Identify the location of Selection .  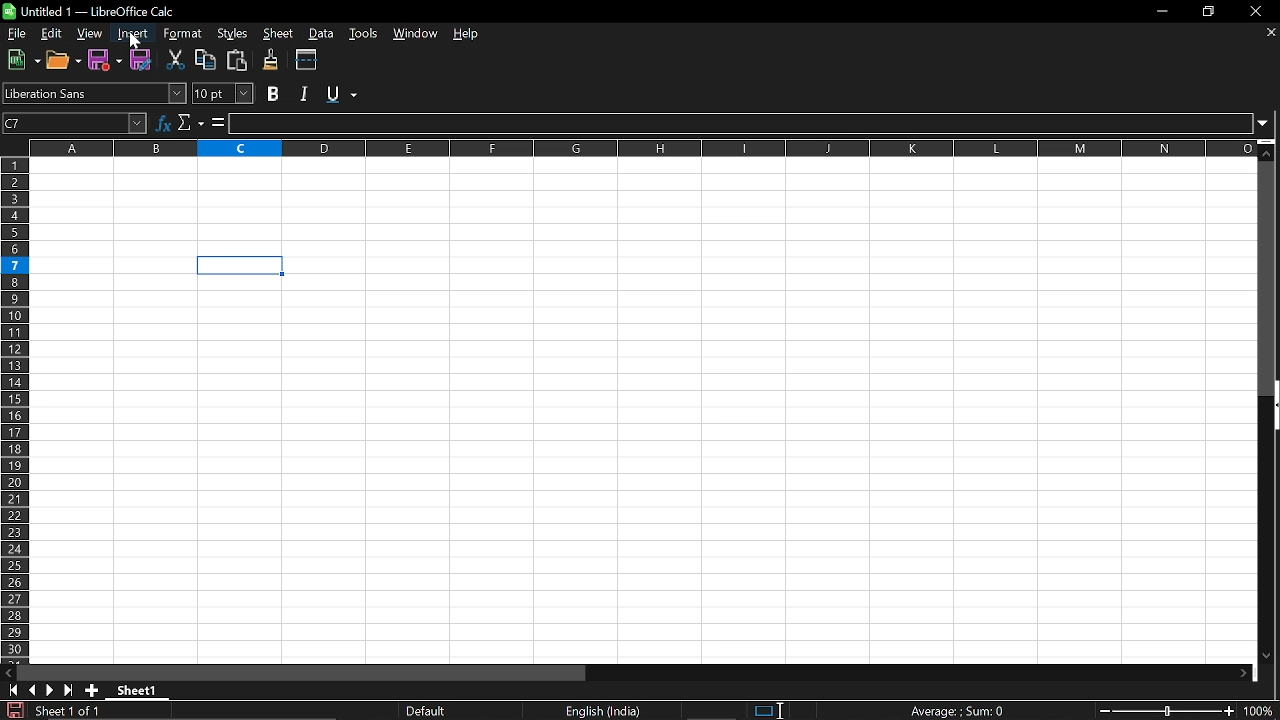
(762, 711).